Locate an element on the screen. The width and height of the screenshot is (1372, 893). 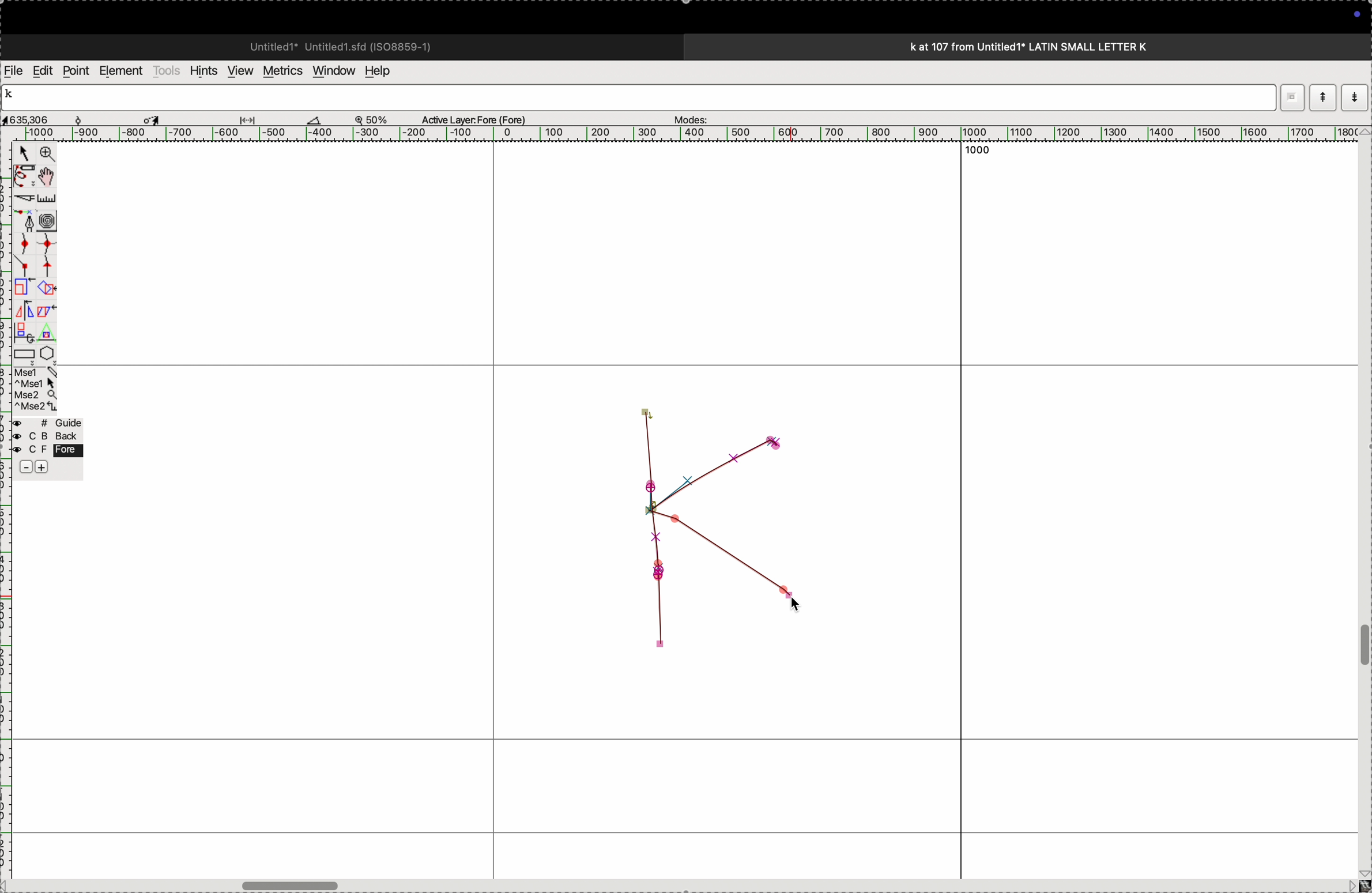
apply is located at coordinates (47, 319).